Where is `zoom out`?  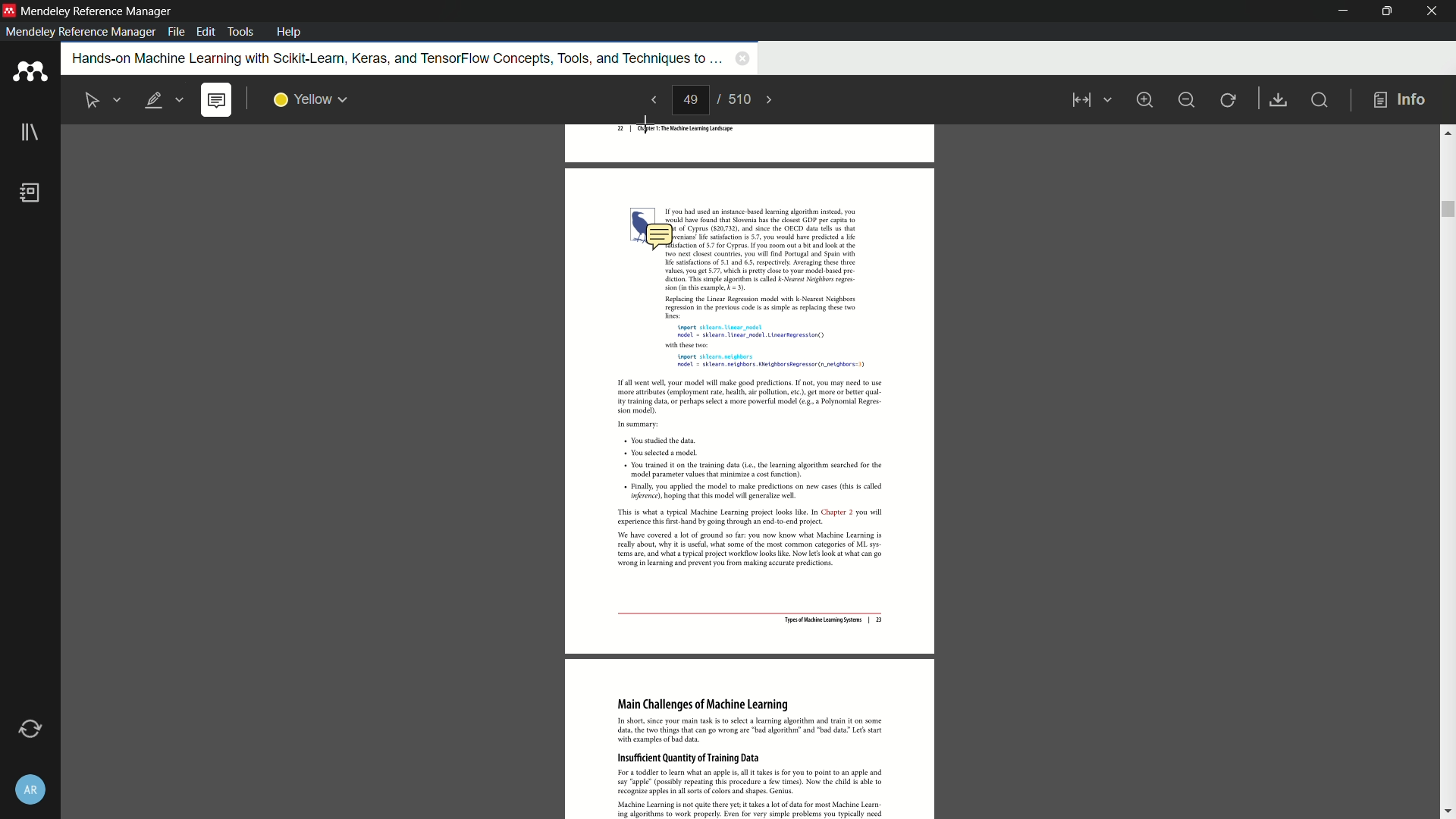
zoom out is located at coordinates (1187, 99).